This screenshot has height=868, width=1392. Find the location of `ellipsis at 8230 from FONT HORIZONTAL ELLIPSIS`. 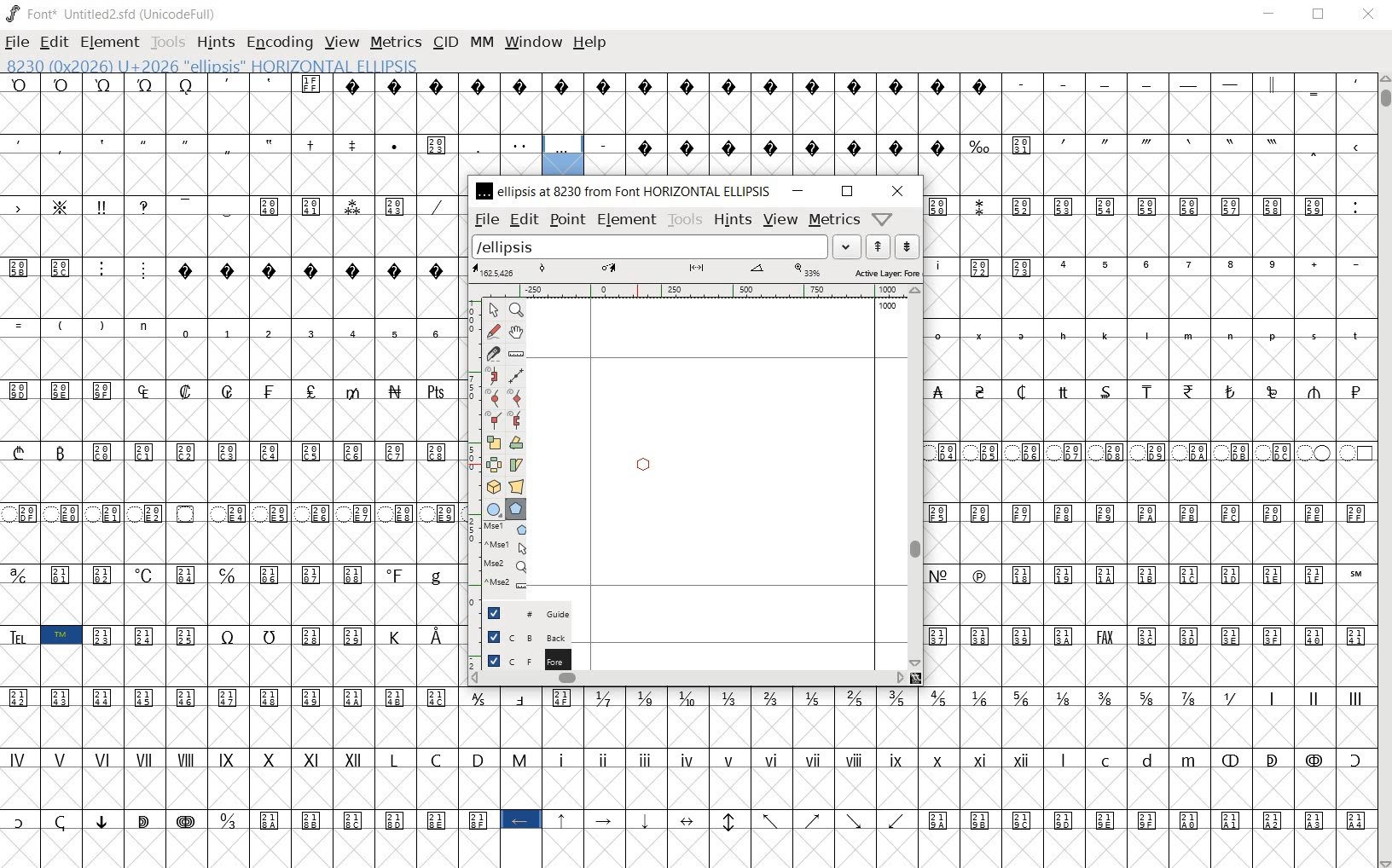

ellipsis at 8230 from FONT HORIZONTAL ELLIPSIS is located at coordinates (623, 192).